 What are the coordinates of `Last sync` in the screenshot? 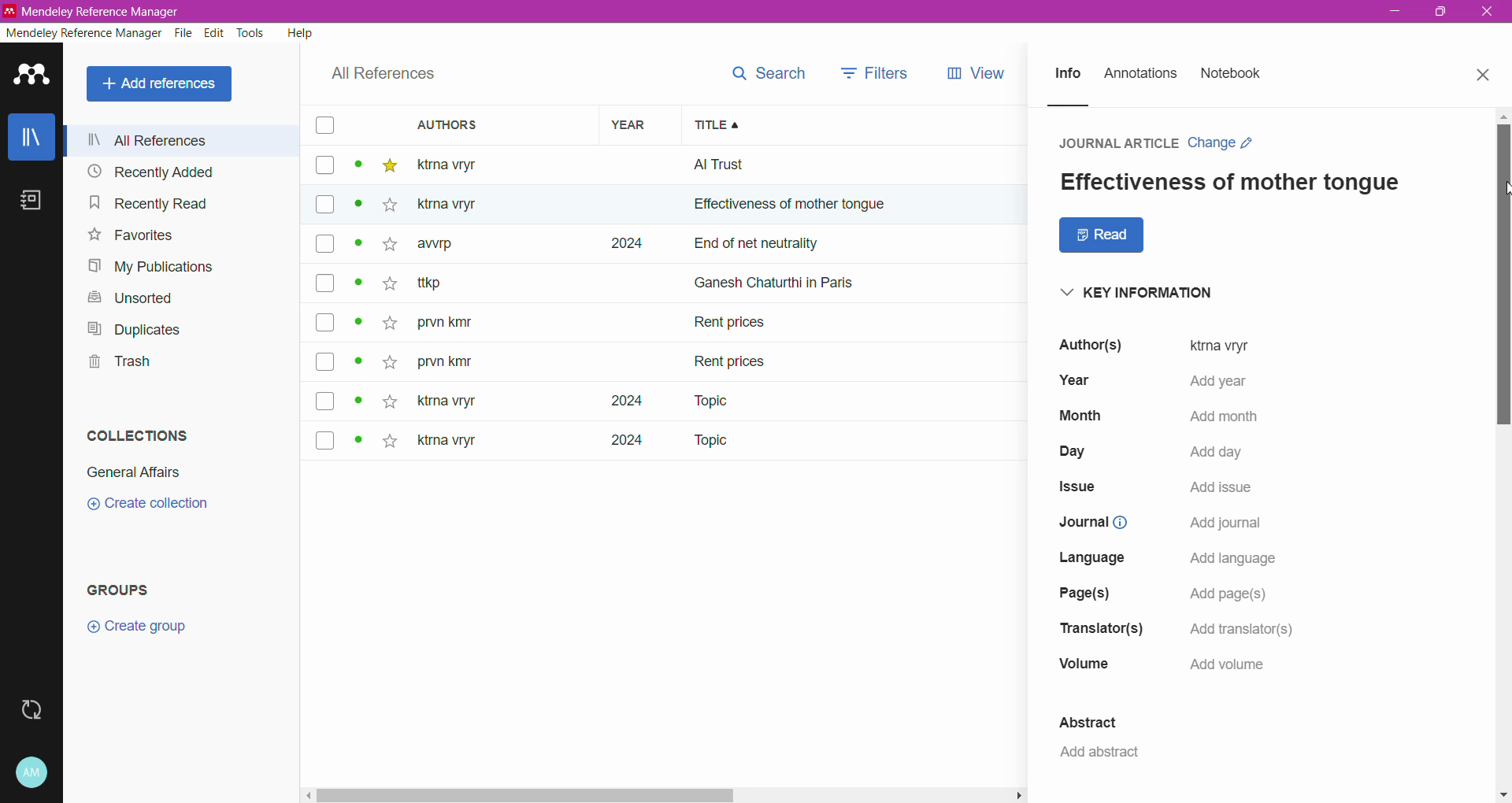 It's located at (31, 710).